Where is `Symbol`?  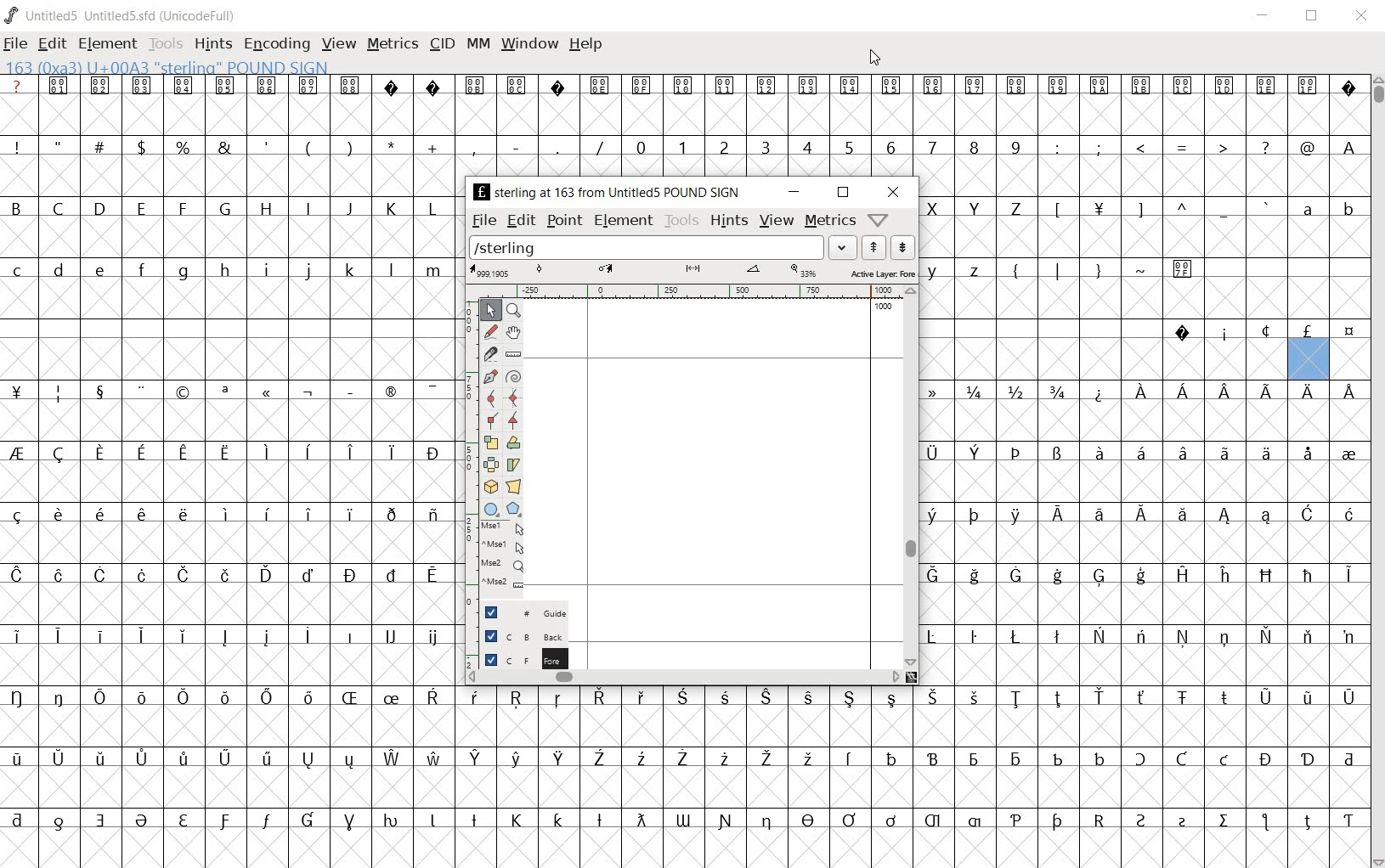 Symbol is located at coordinates (1182, 573).